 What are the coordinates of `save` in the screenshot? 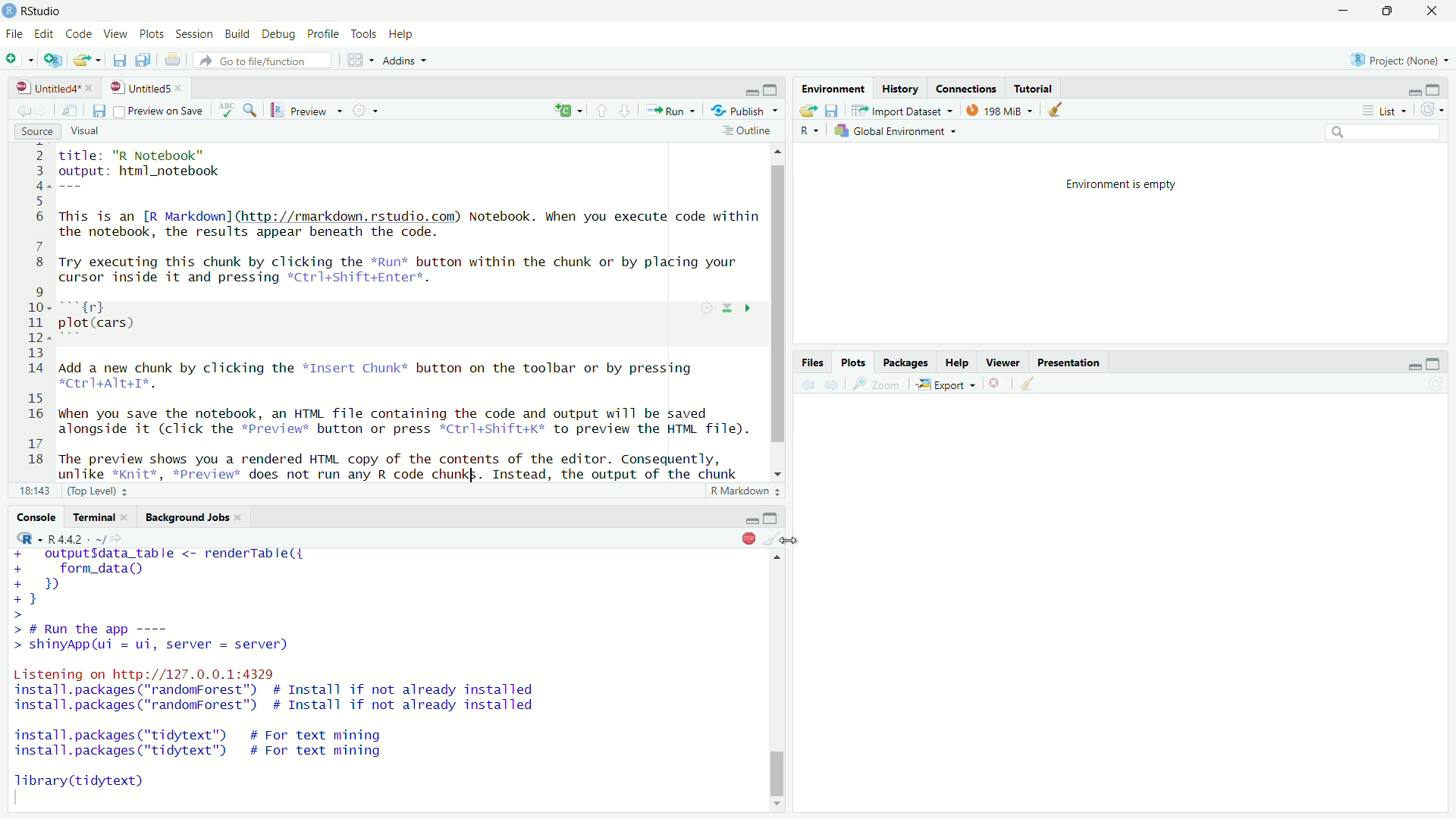 It's located at (98, 111).